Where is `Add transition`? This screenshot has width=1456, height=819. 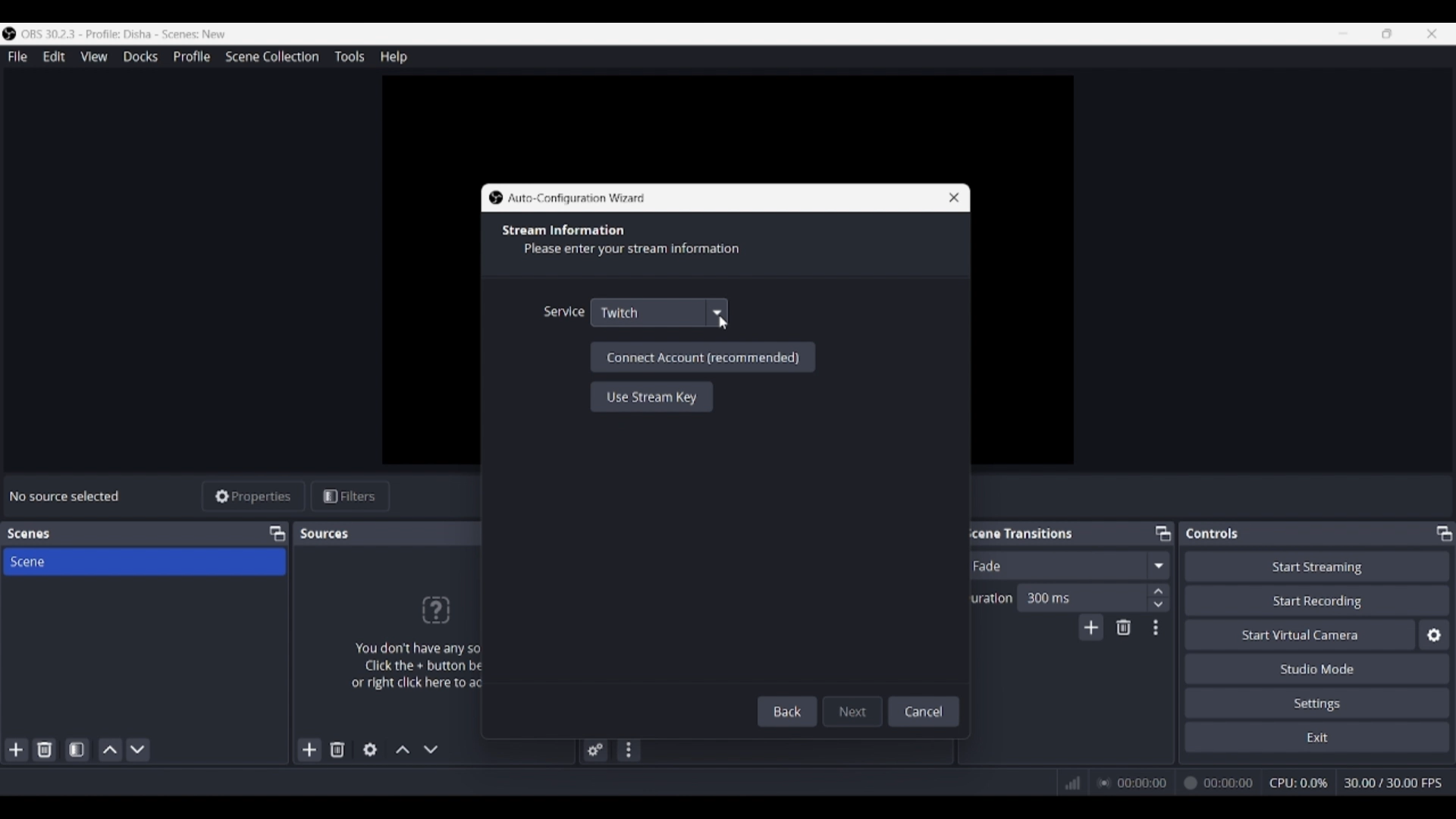 Add transition is located at coordinates (1090, 627).